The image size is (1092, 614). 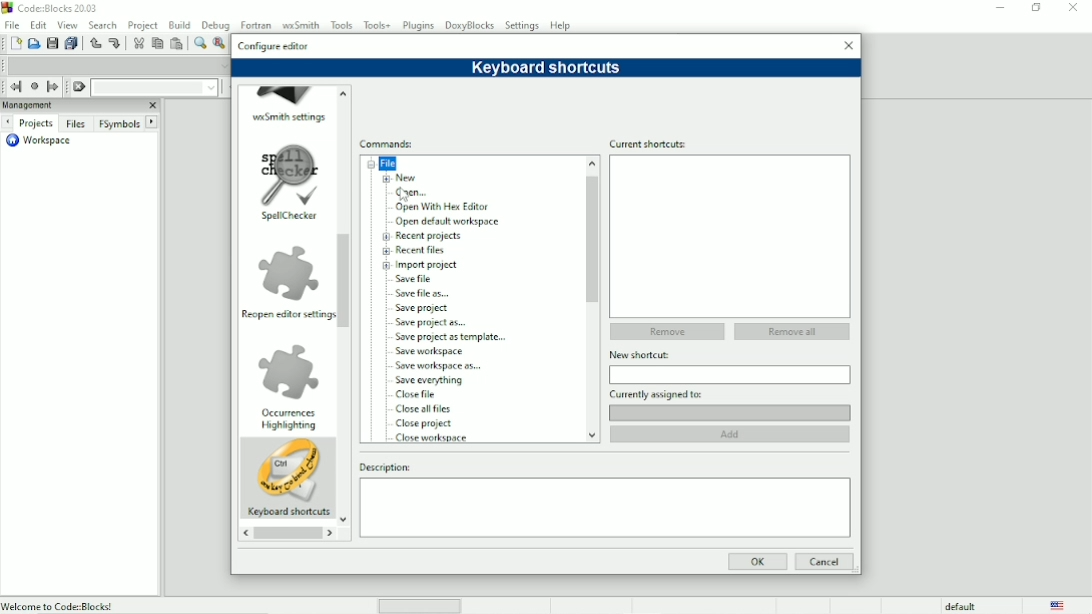 I want to click on Drop down, so click(x=210, y=88).